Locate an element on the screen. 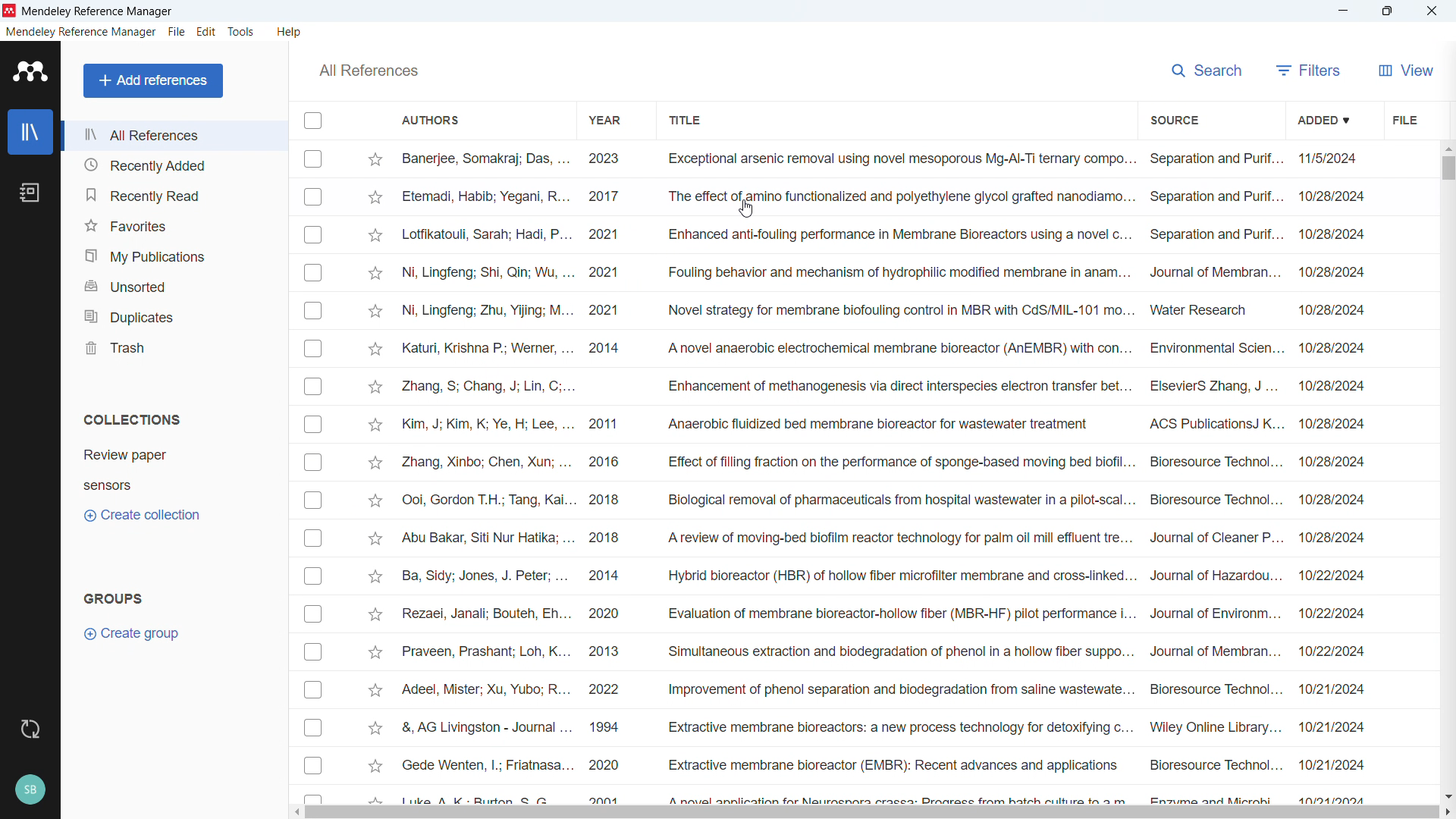  edit is located at coordinates (206, 31).